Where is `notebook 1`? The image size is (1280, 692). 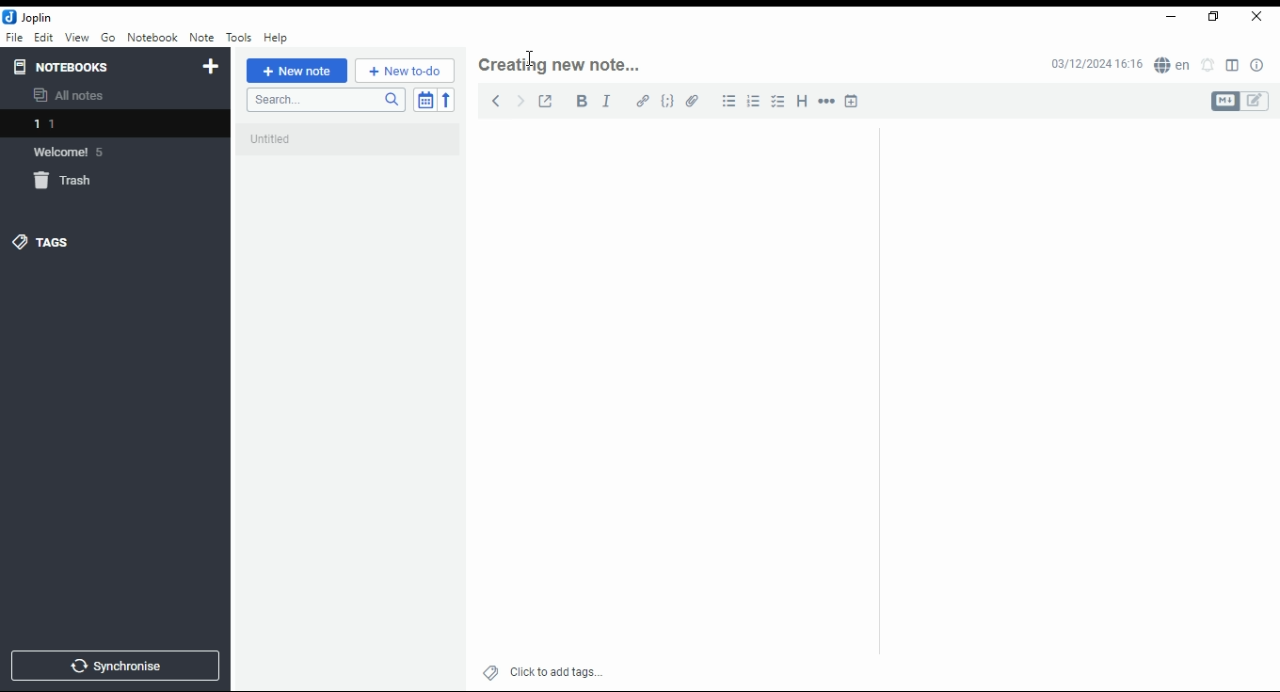 notebook 1 is located at coordinates (73, 126).